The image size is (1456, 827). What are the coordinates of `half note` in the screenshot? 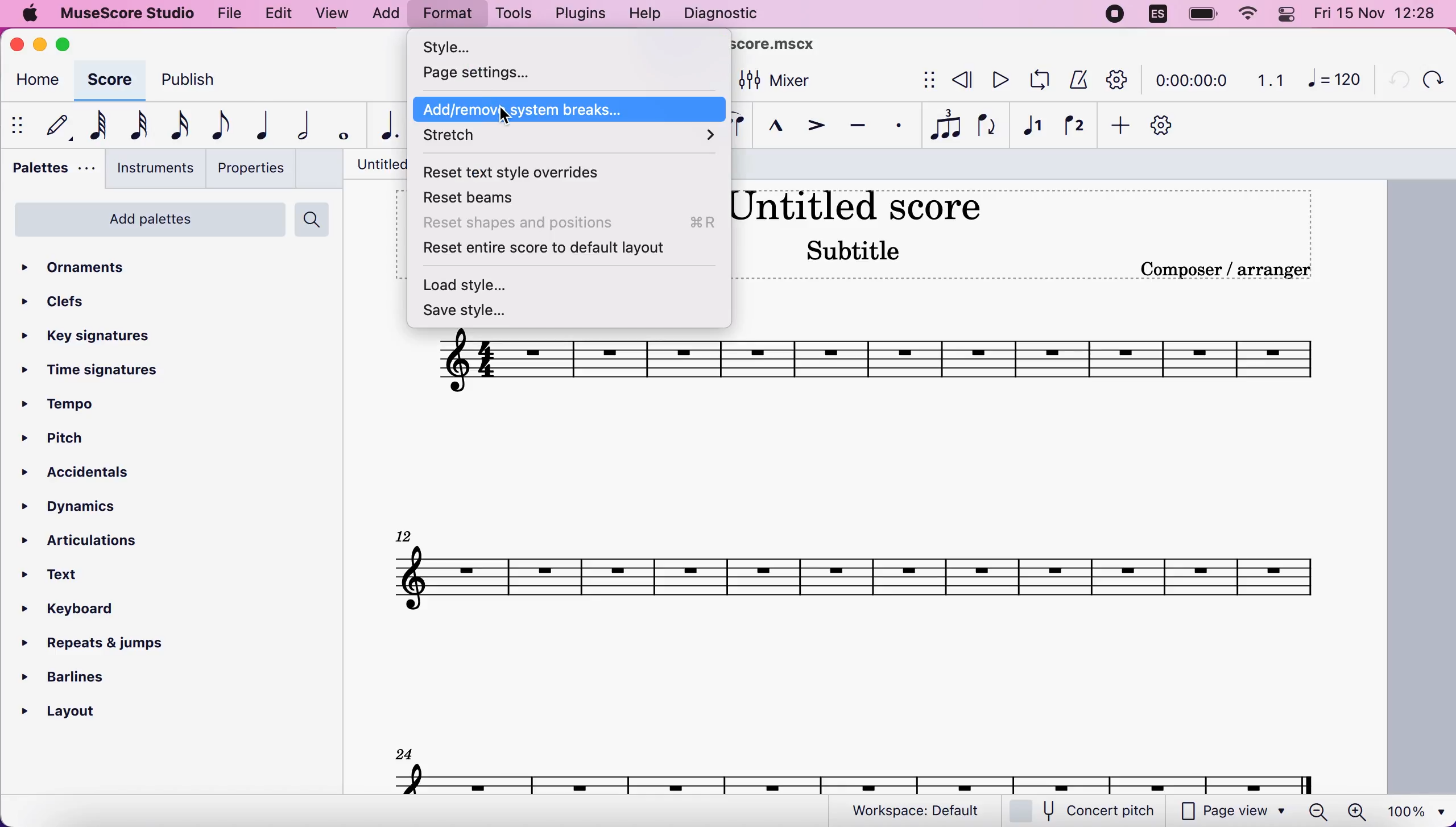 It's located at (296, 126).